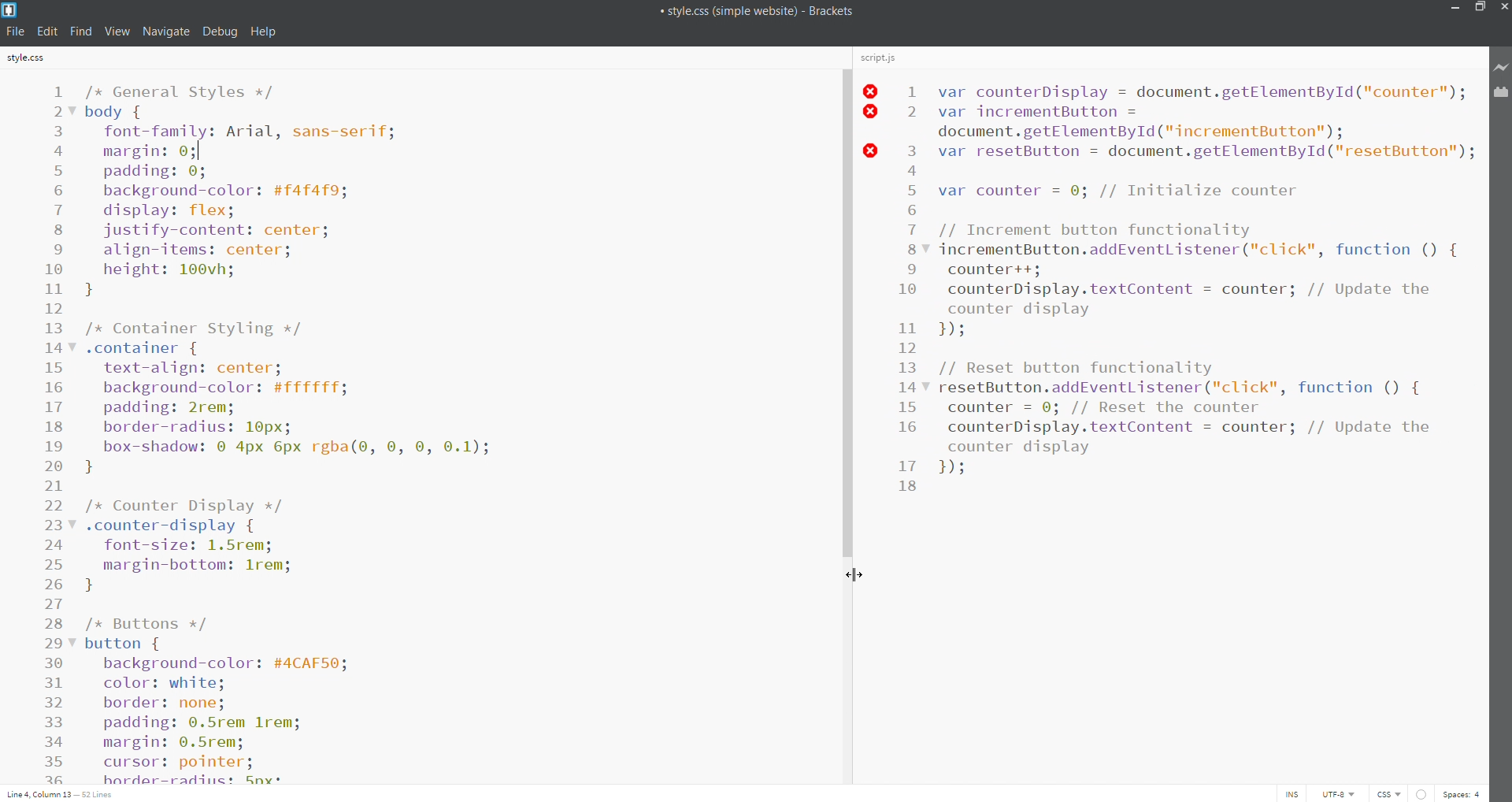 The height and width of the screenshot is (802, 1512). What do you see at coordinates (1455, 9) in the screenshot?
I see `minimize` at bounding box center [1455, 9].